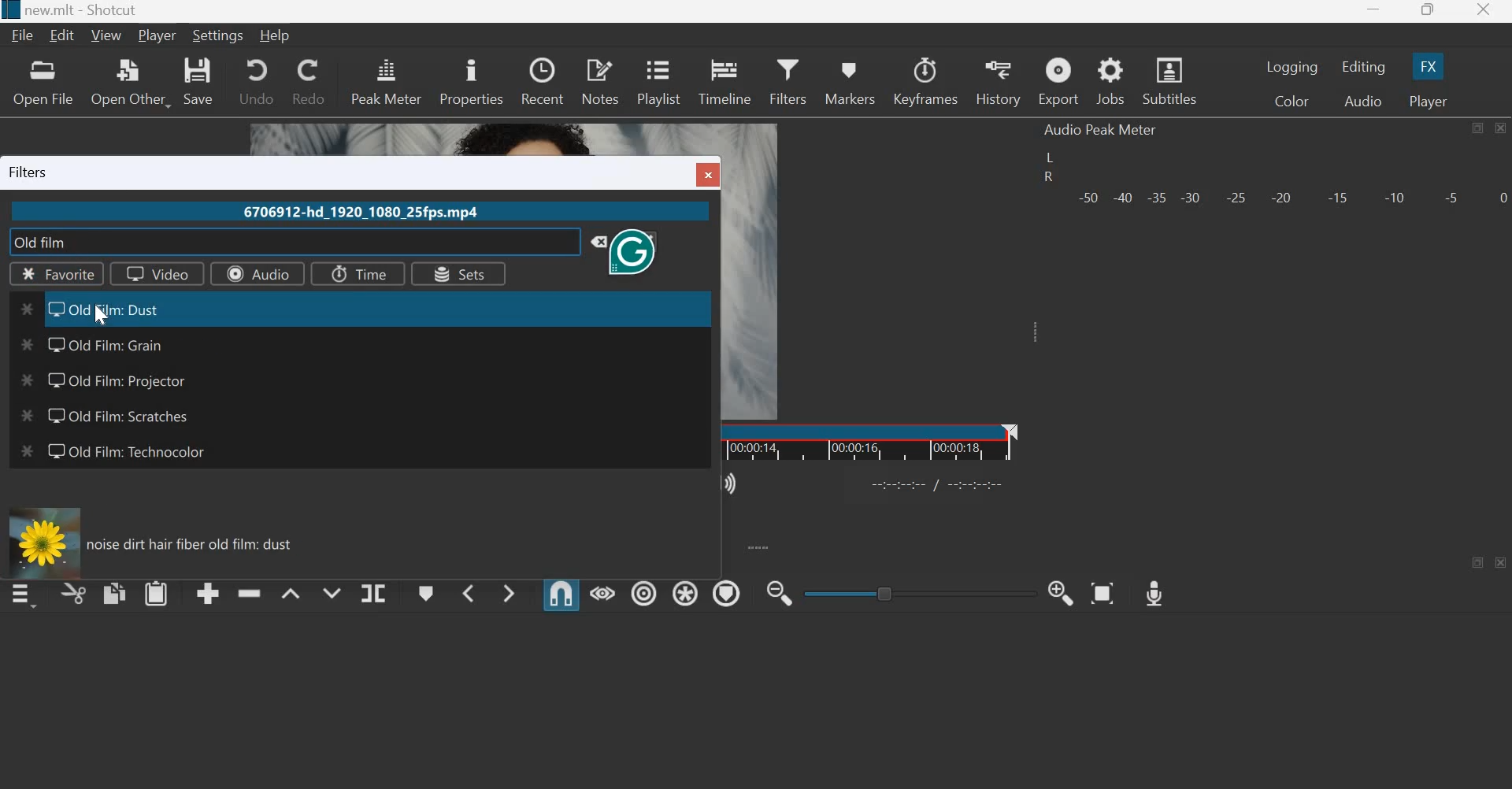 The image size is (1512, 789). I want to click on Show the volume control, so click(732, 481).